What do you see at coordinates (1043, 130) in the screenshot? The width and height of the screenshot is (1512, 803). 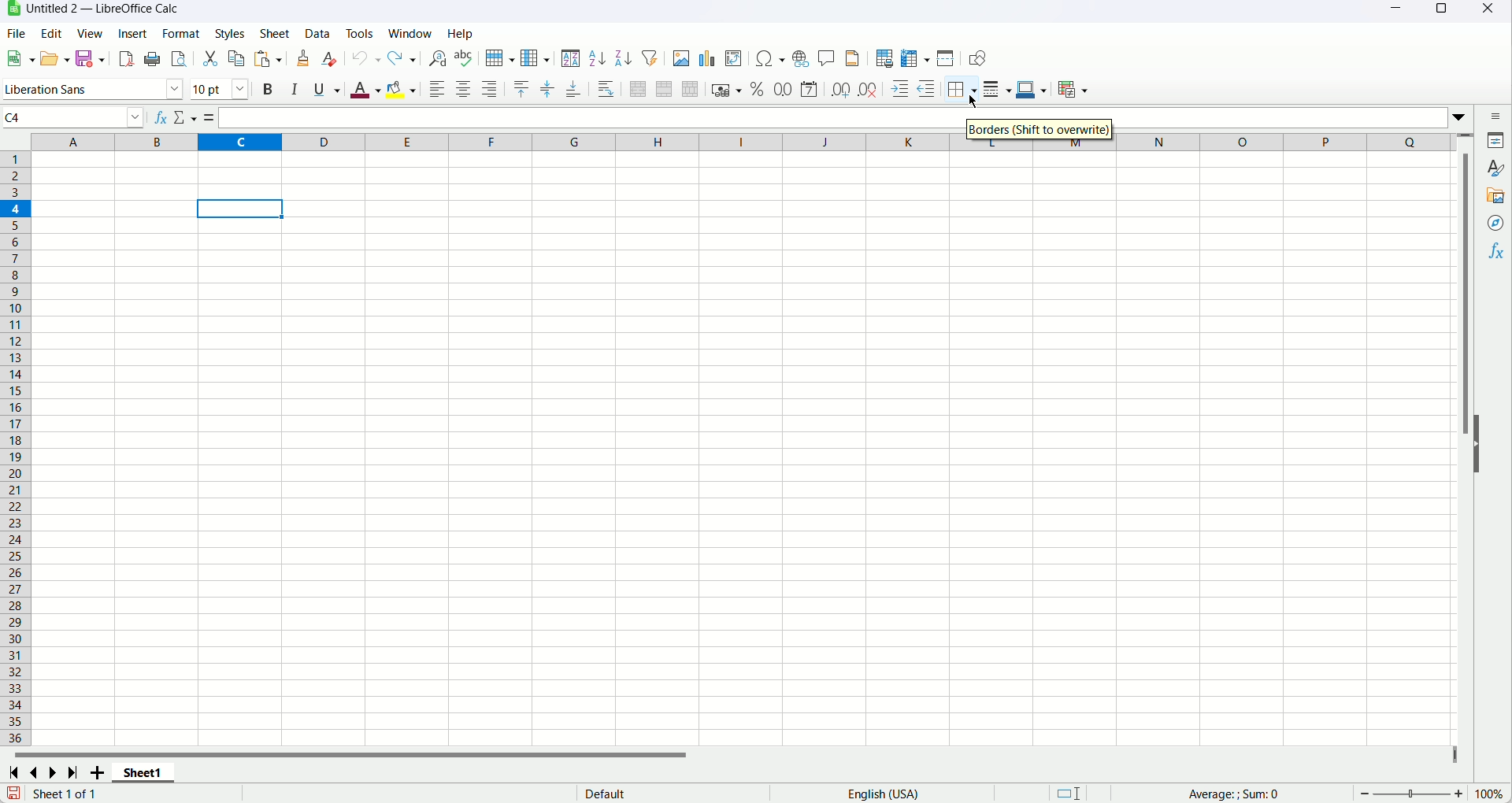 I see `Borders` at bounding box center [1043, 130].